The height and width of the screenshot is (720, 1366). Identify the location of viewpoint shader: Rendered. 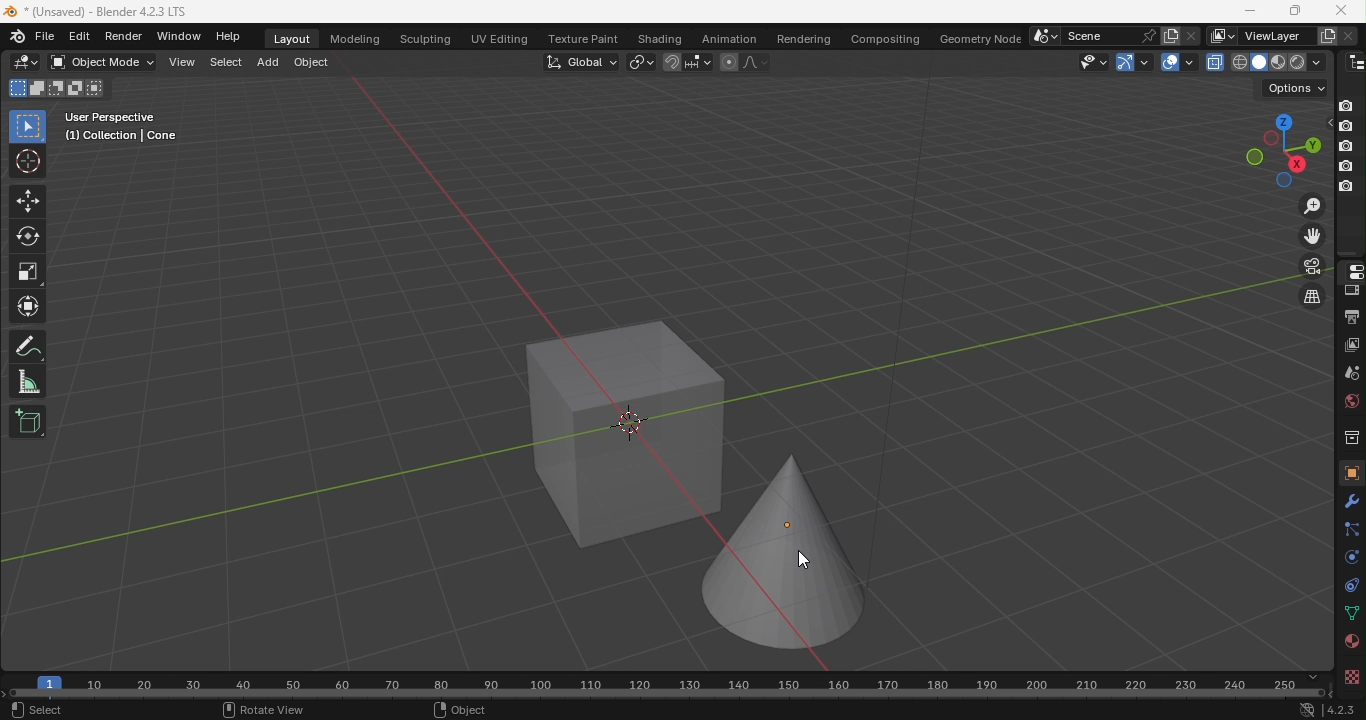
(1296, 61).